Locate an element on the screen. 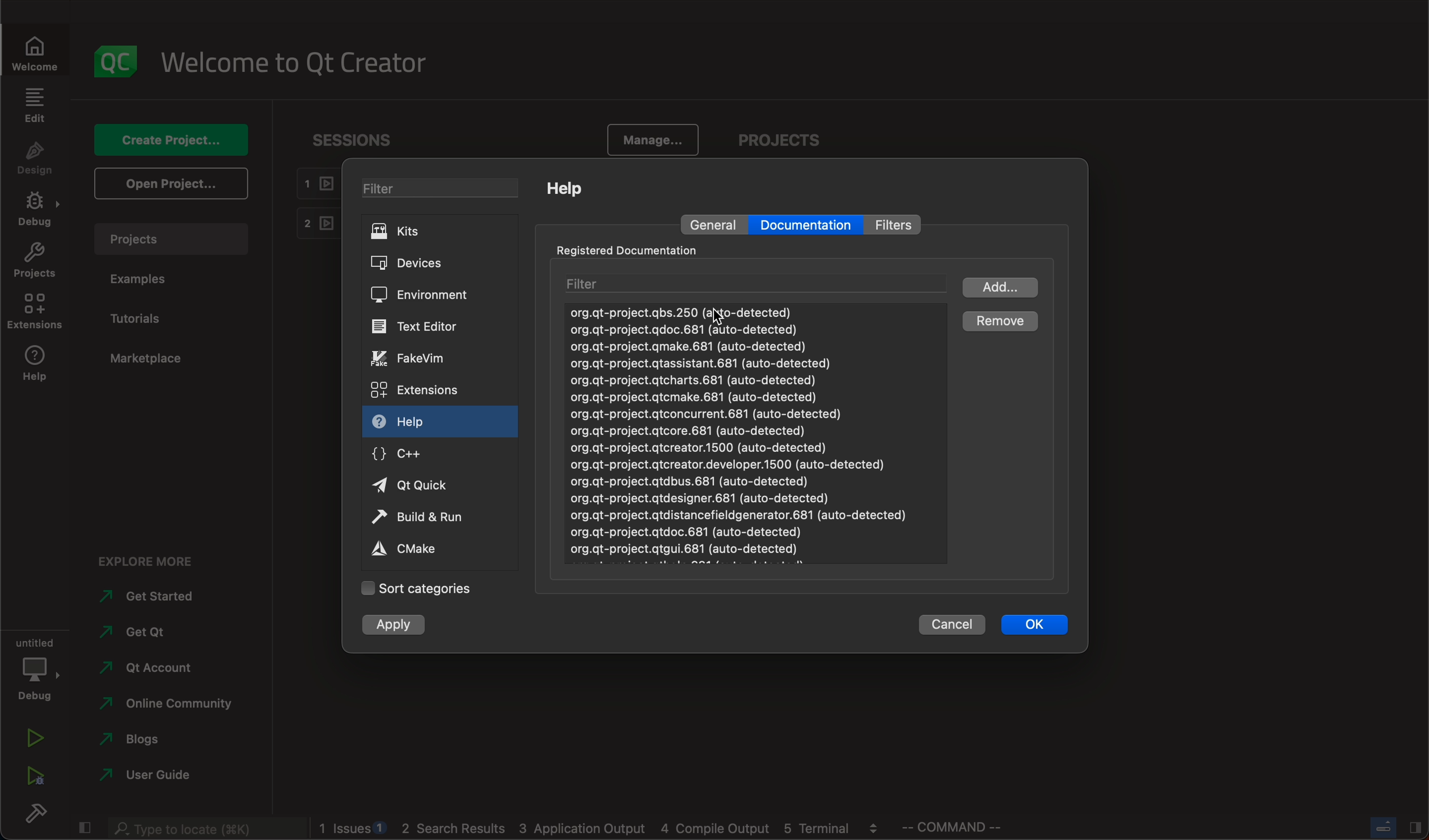  run is located at coordinates (423, 515).